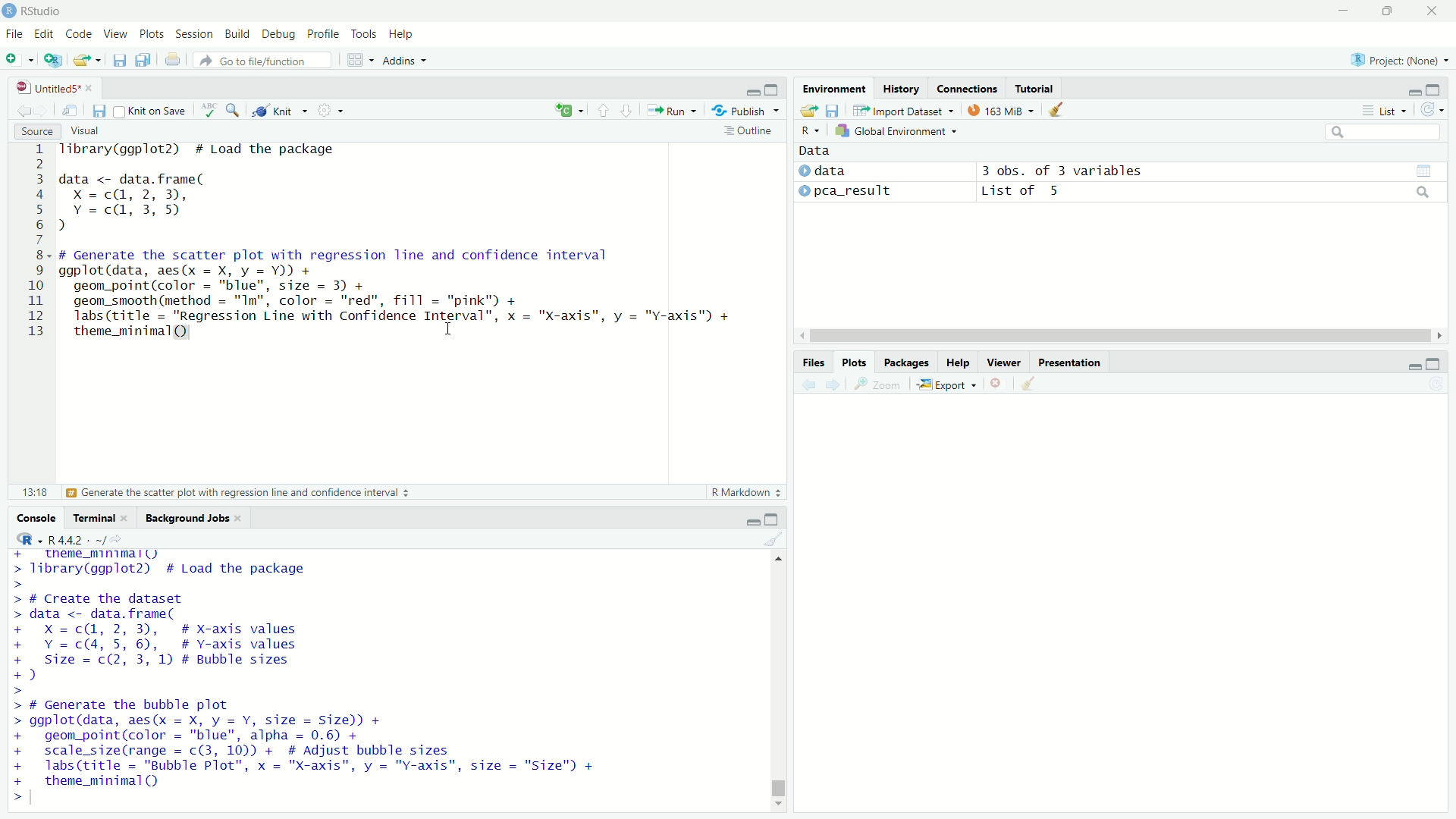 The image size is (1456, 819). What do you see at coordinates (804, 191) in the screenshot?
I see `expand/collapse` at bounding box center [804, 191].